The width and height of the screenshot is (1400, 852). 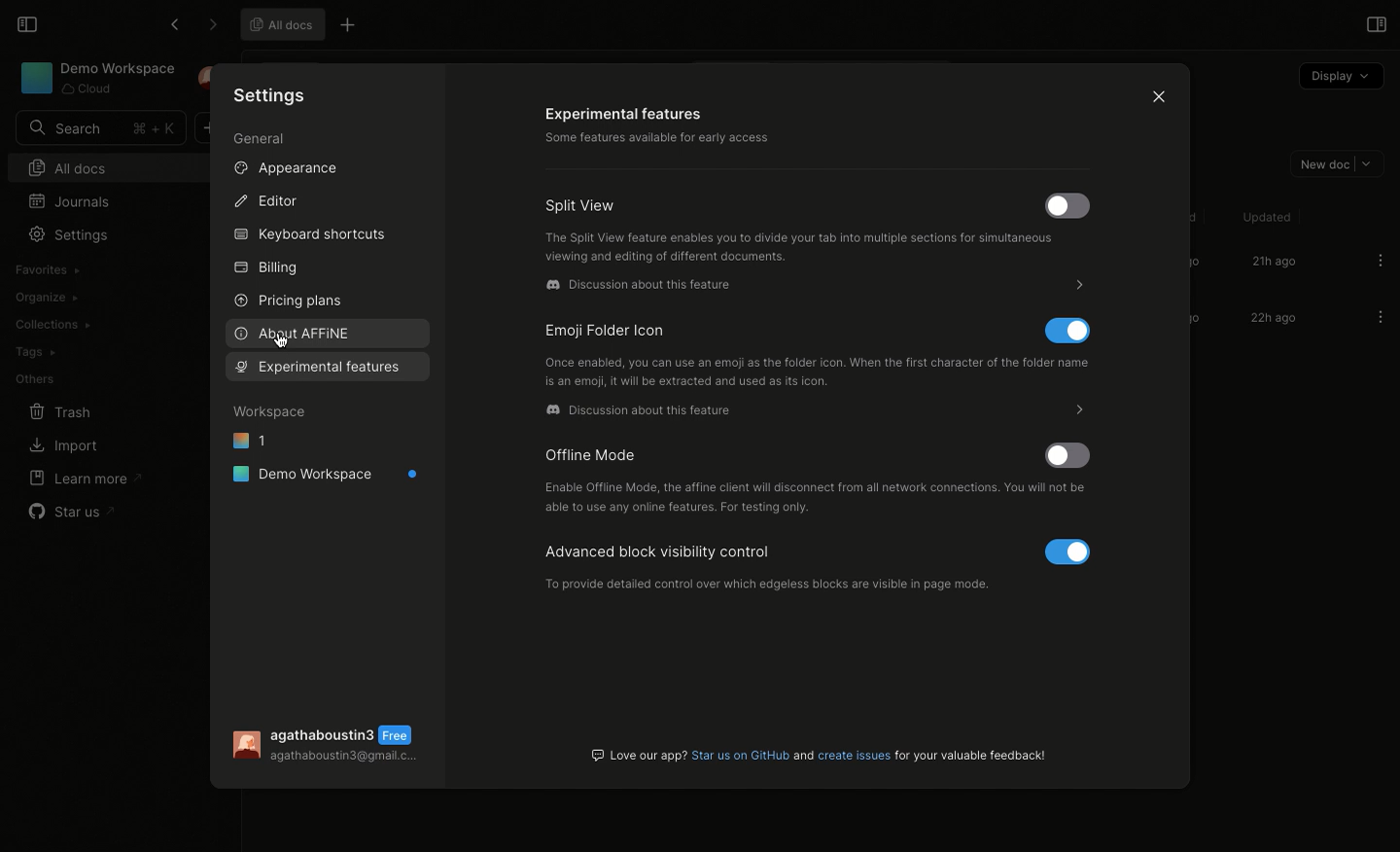 What do you see at coordinates (292, 539) in the screenshot?
I see `Properties` at bounding box center [292, 539].